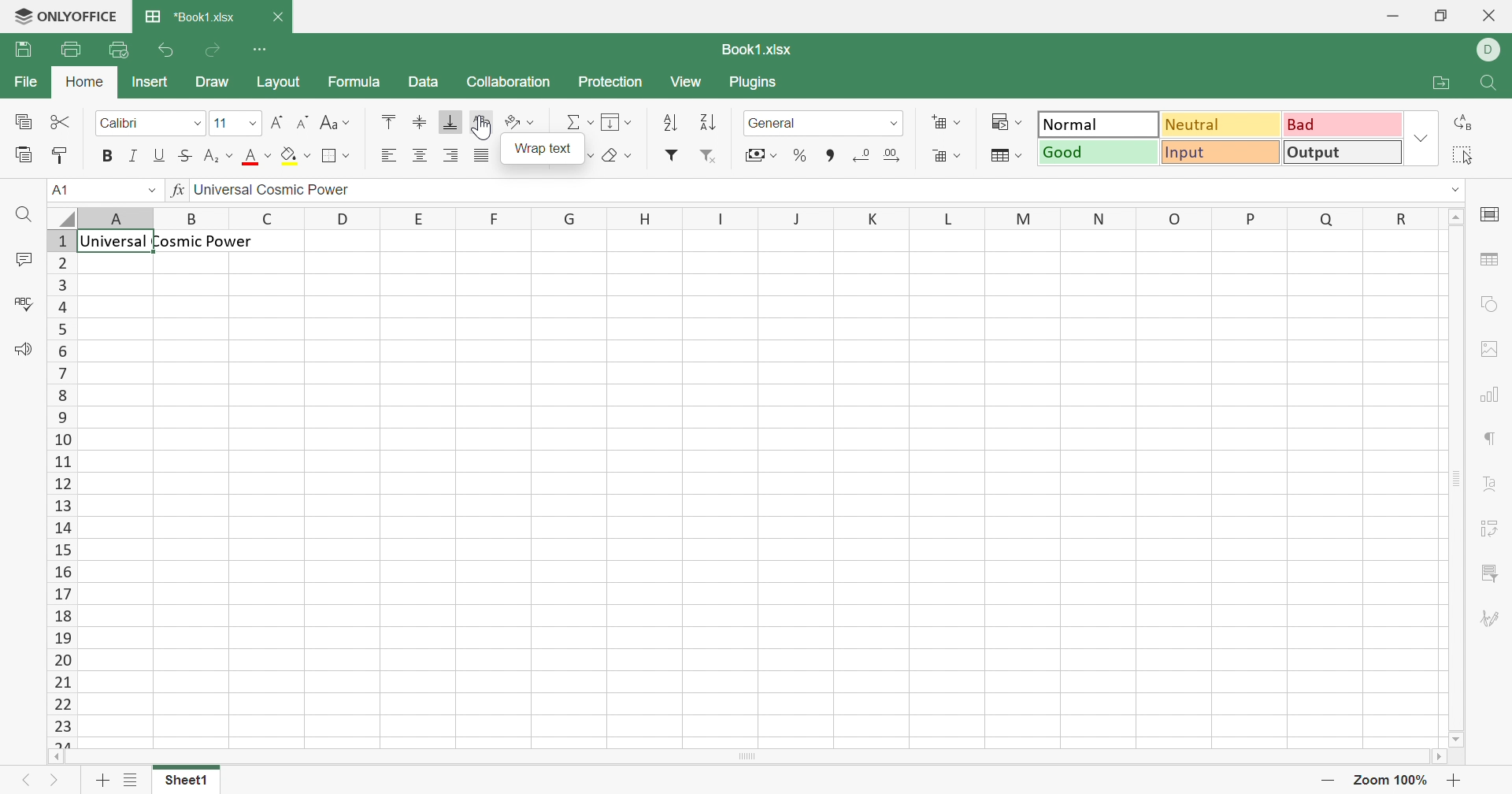 The width and height of the screenshot is (1512, 794). What do you see at coordinates (69, 50) in the screenshot?
I see `Print` at bounding box center [69, 50].